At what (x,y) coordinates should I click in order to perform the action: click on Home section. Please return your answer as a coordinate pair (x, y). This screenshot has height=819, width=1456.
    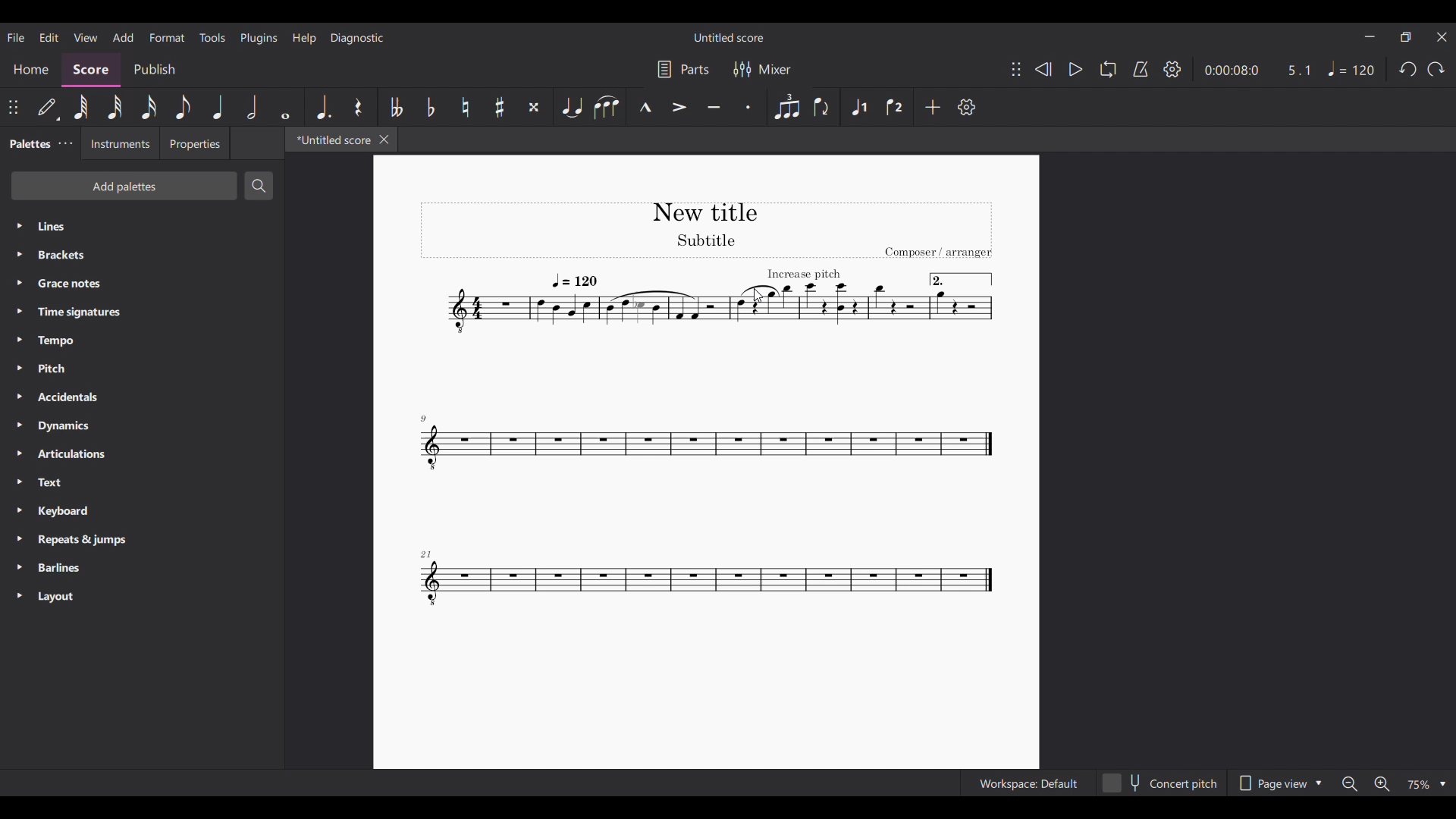
    Looking at the image, I should click on (31, 70).